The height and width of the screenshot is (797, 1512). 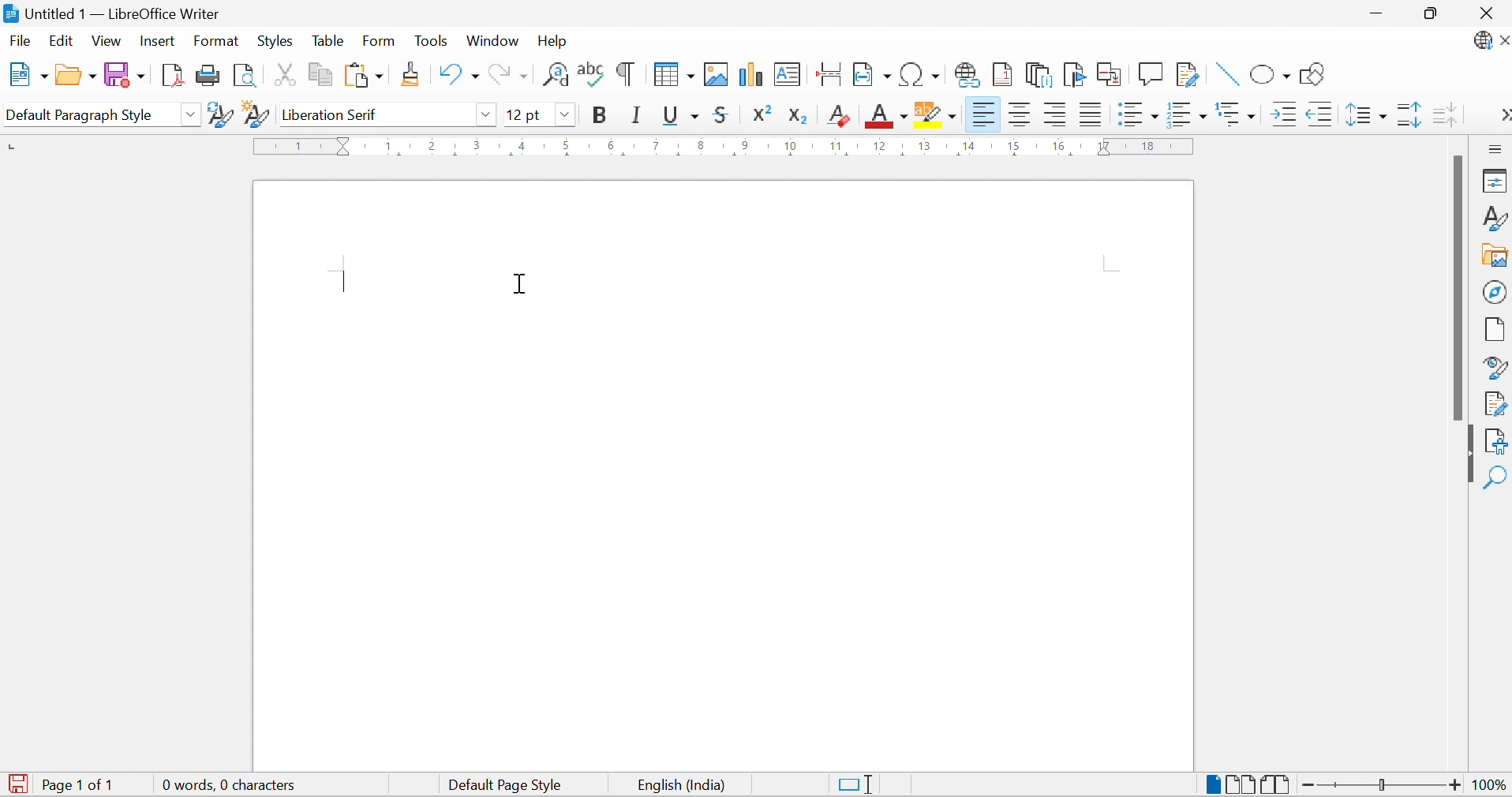 I want to click on 7, so click(x=654, y=146).